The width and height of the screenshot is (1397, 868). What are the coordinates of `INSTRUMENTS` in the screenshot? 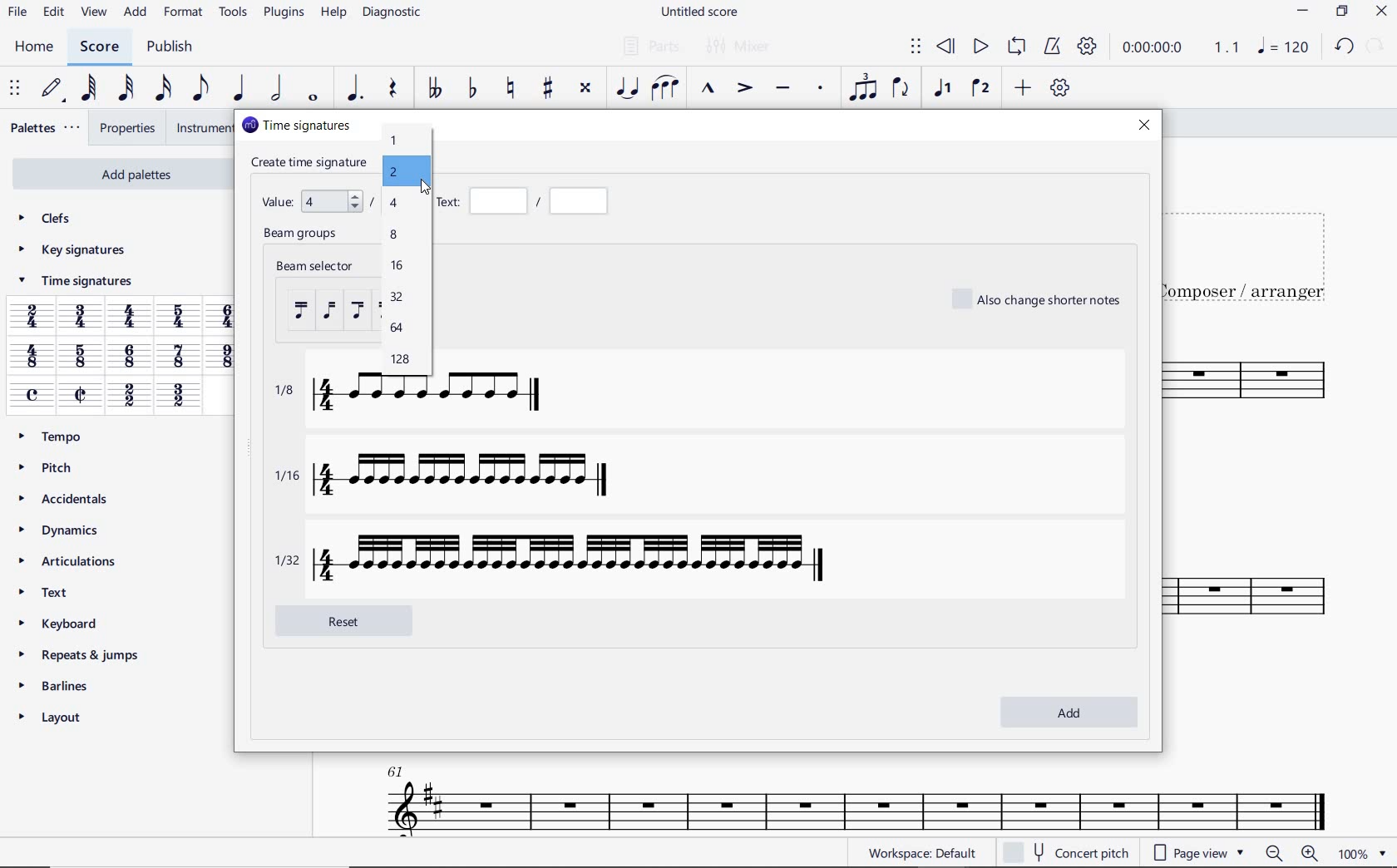 It's located at (201, 128).